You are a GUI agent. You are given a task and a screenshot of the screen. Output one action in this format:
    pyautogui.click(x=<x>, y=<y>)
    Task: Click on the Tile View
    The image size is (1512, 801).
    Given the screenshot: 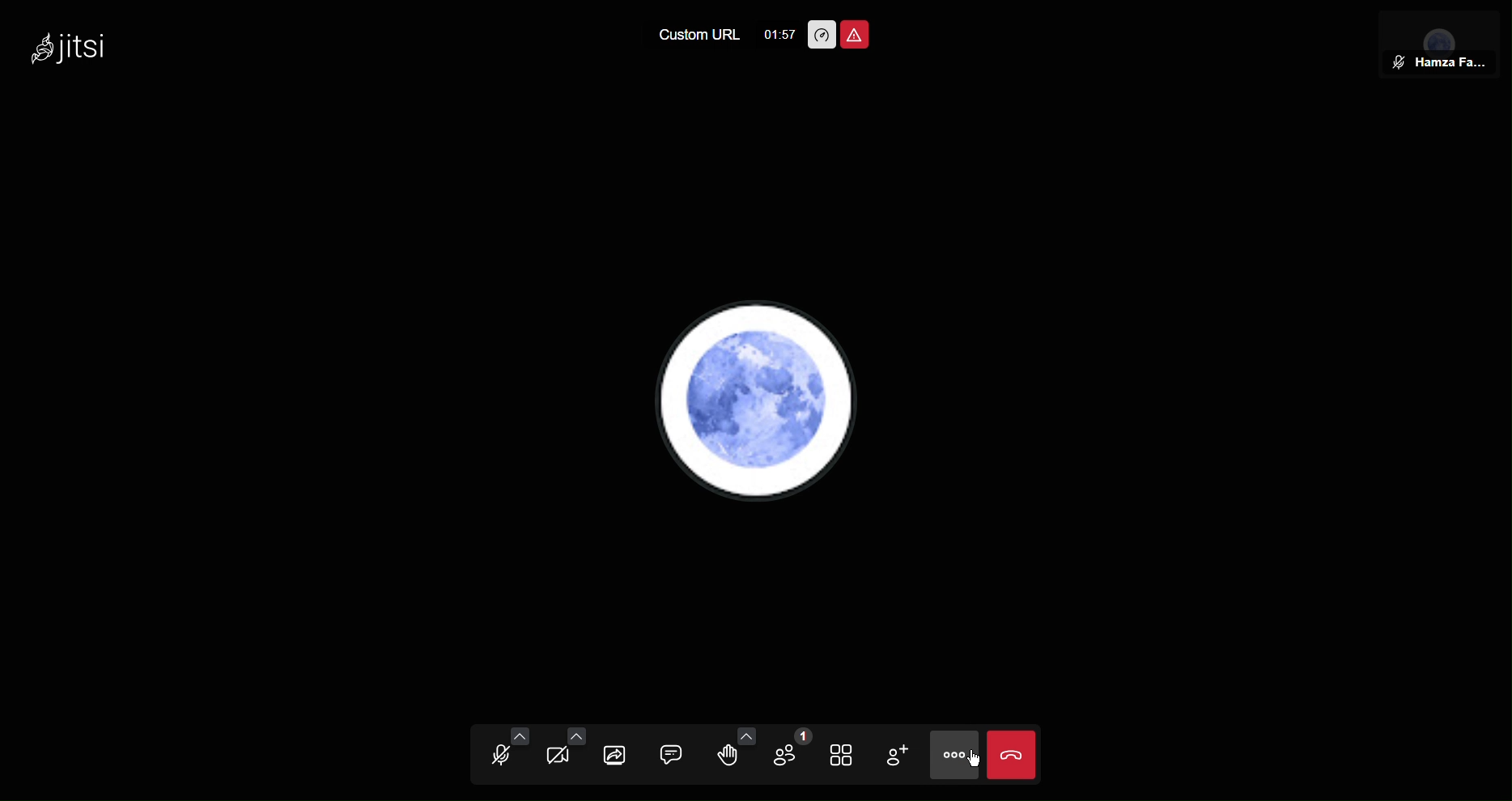 What is the action you would take?
    pyautogui.click(x=848, y=756)
    